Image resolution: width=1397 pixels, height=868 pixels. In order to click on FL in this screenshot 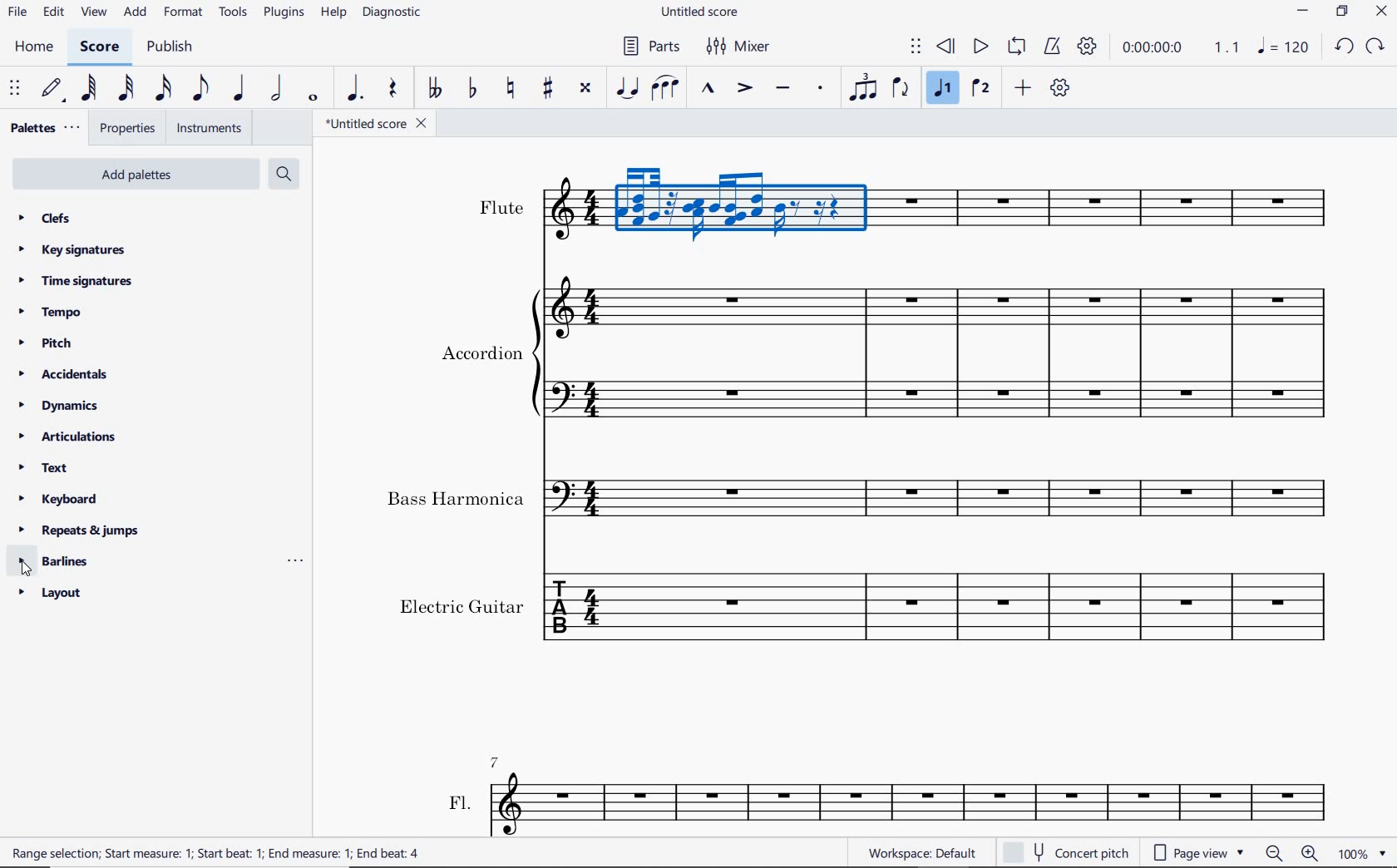, I will do `click(914, 803)`.